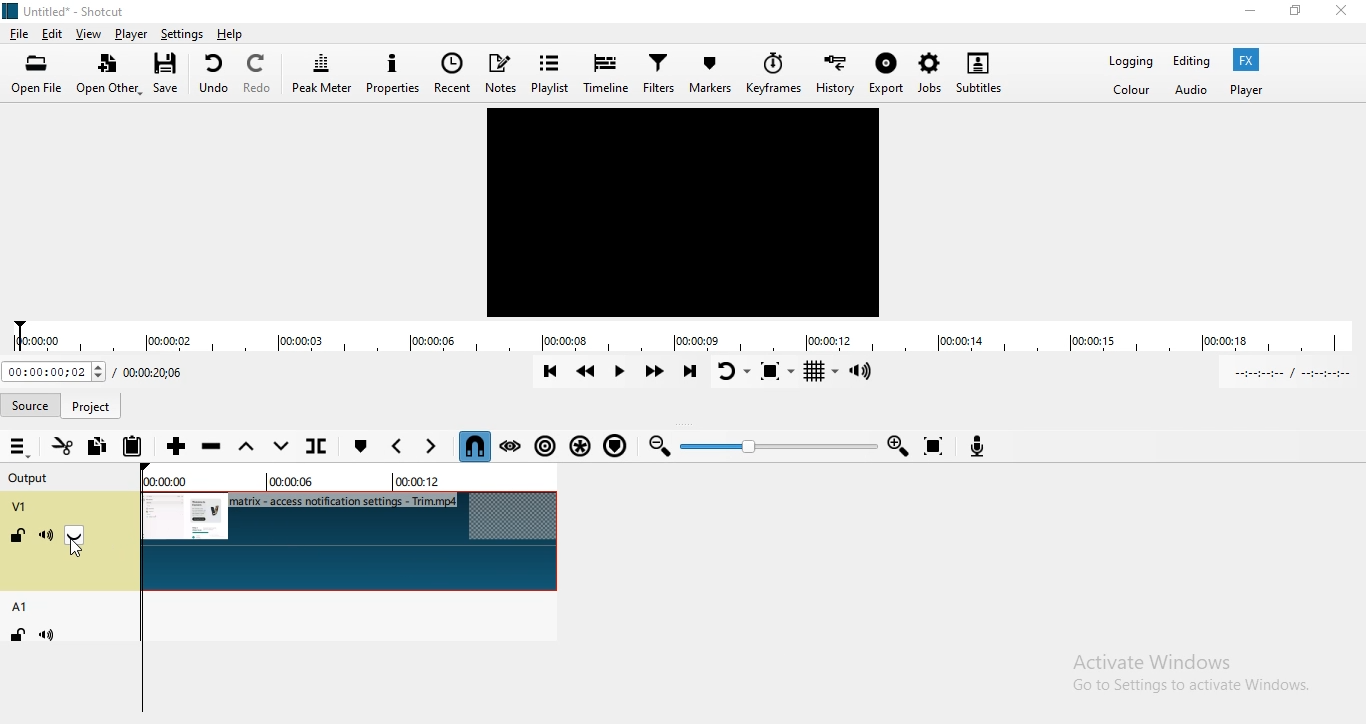 This screenshot has height=724, width=1366. Describe the element at coordinates (938, 445) in the screenshot. I see `Zoom timeline to fit` at that location.